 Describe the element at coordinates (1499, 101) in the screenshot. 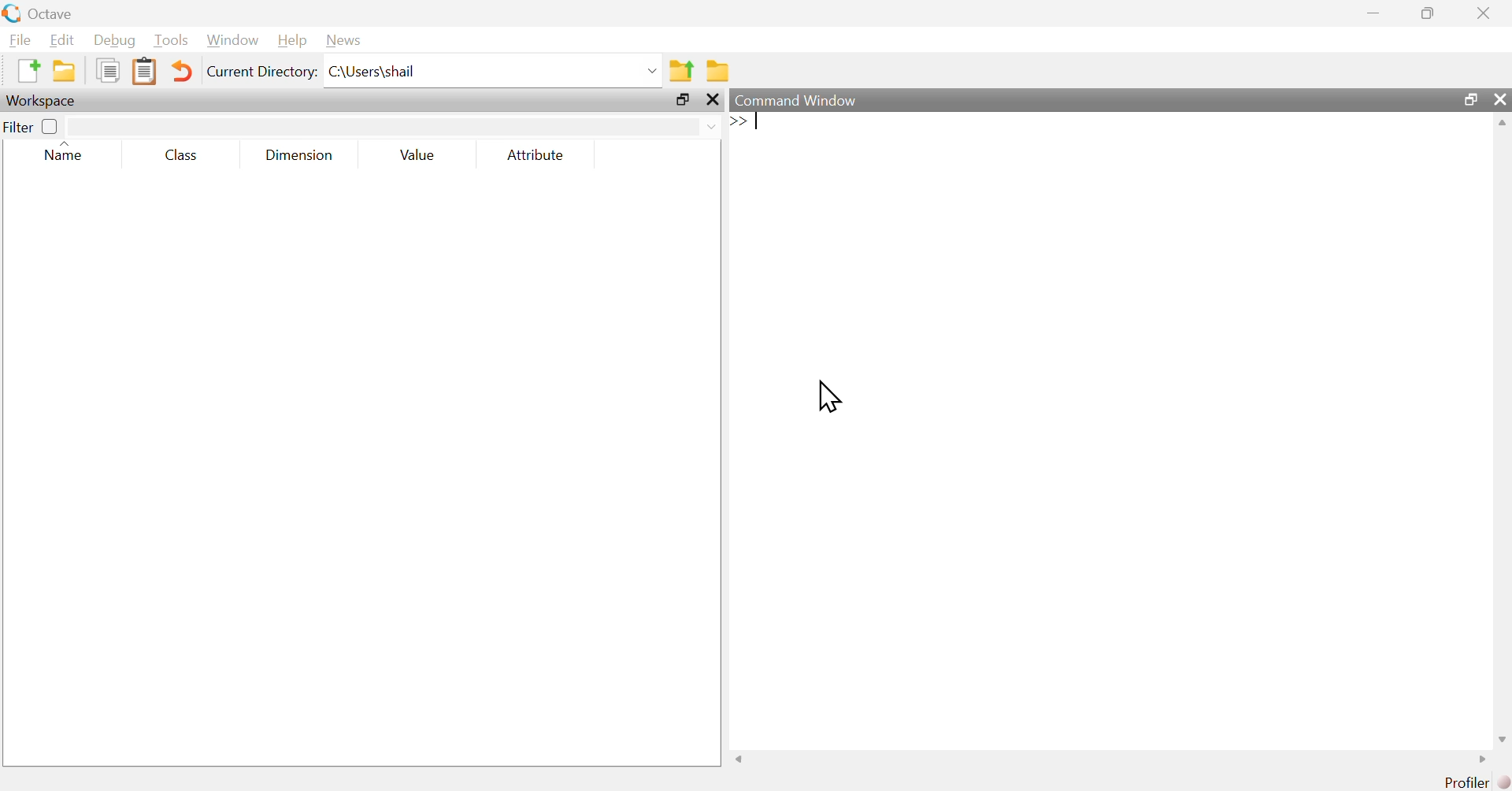

I see `close` at that location.